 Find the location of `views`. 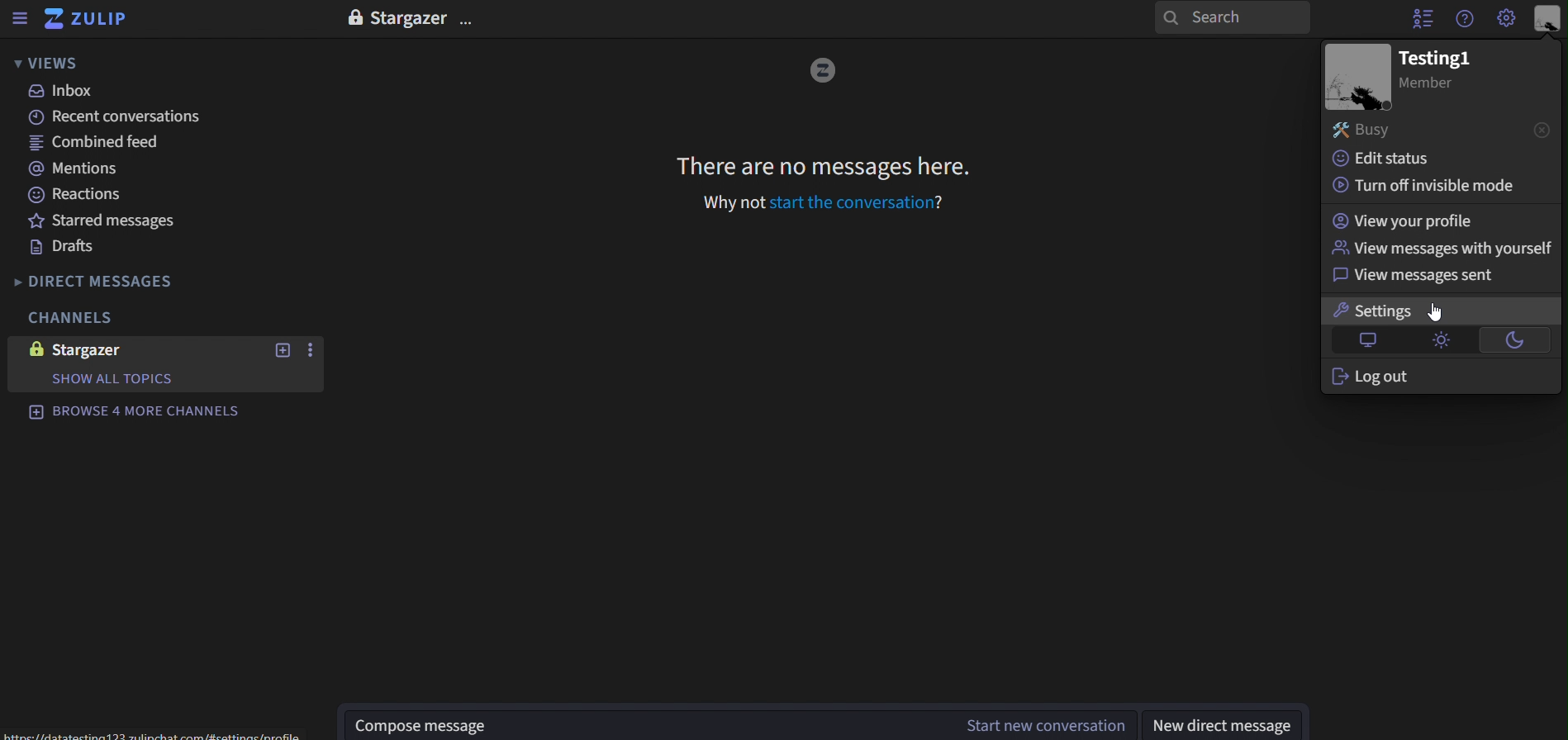

views is located at coordinates (46, 64).